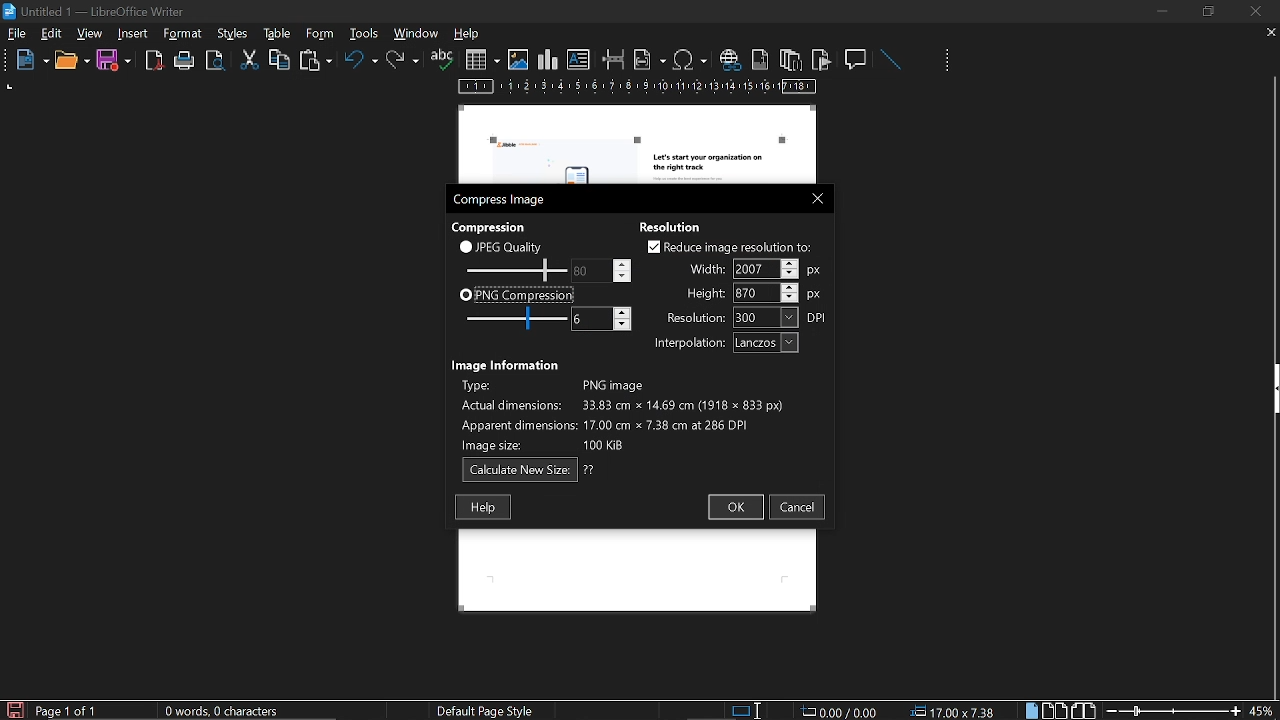 This screenshot has width=1280, height=720. Describe the element at coordinates (361, 63) in the screenshot. I see `undo` at that location.